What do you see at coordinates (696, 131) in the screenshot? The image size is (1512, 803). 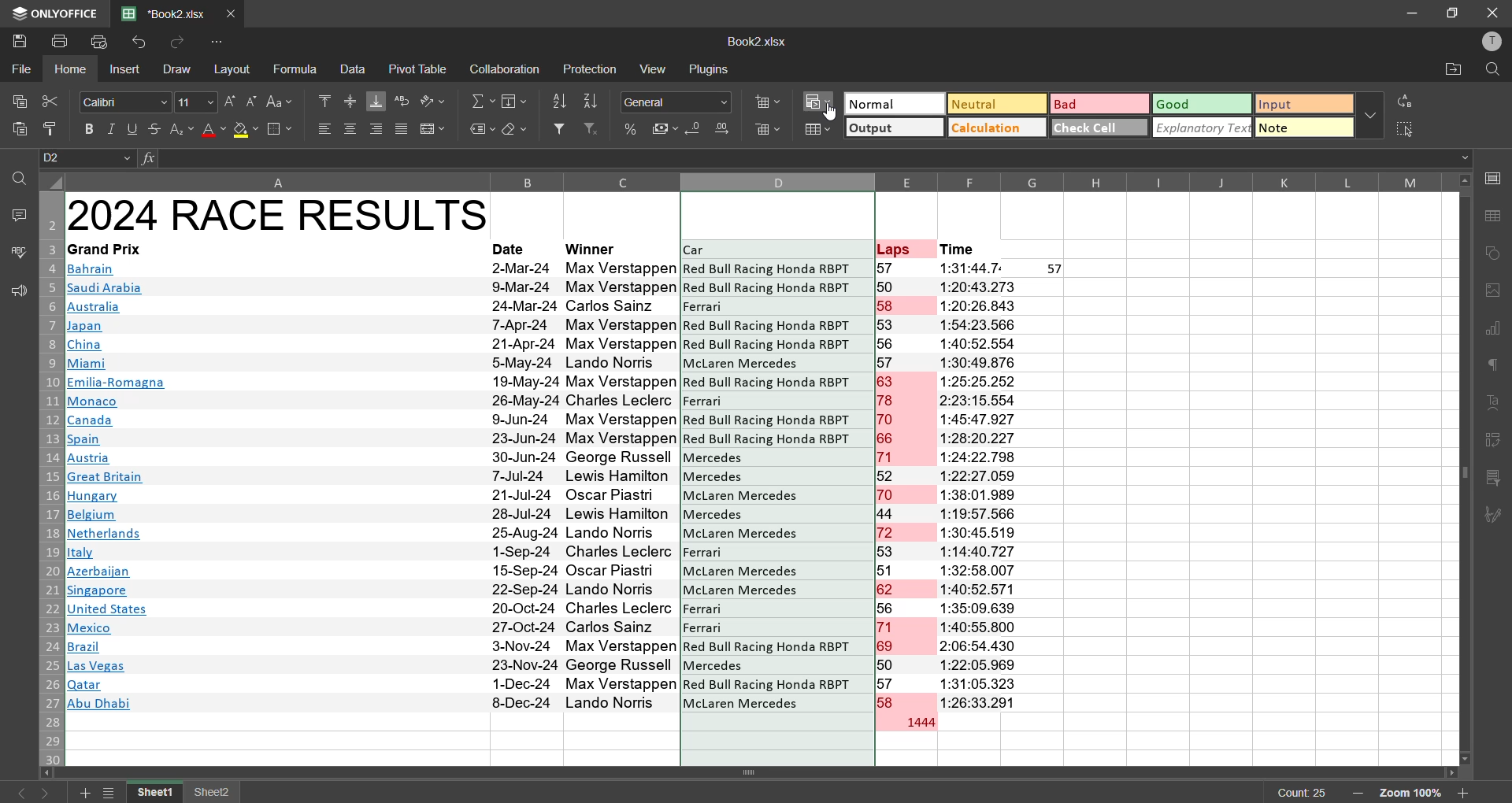 I see `decrease decimal` at bounding box center [696, 131].